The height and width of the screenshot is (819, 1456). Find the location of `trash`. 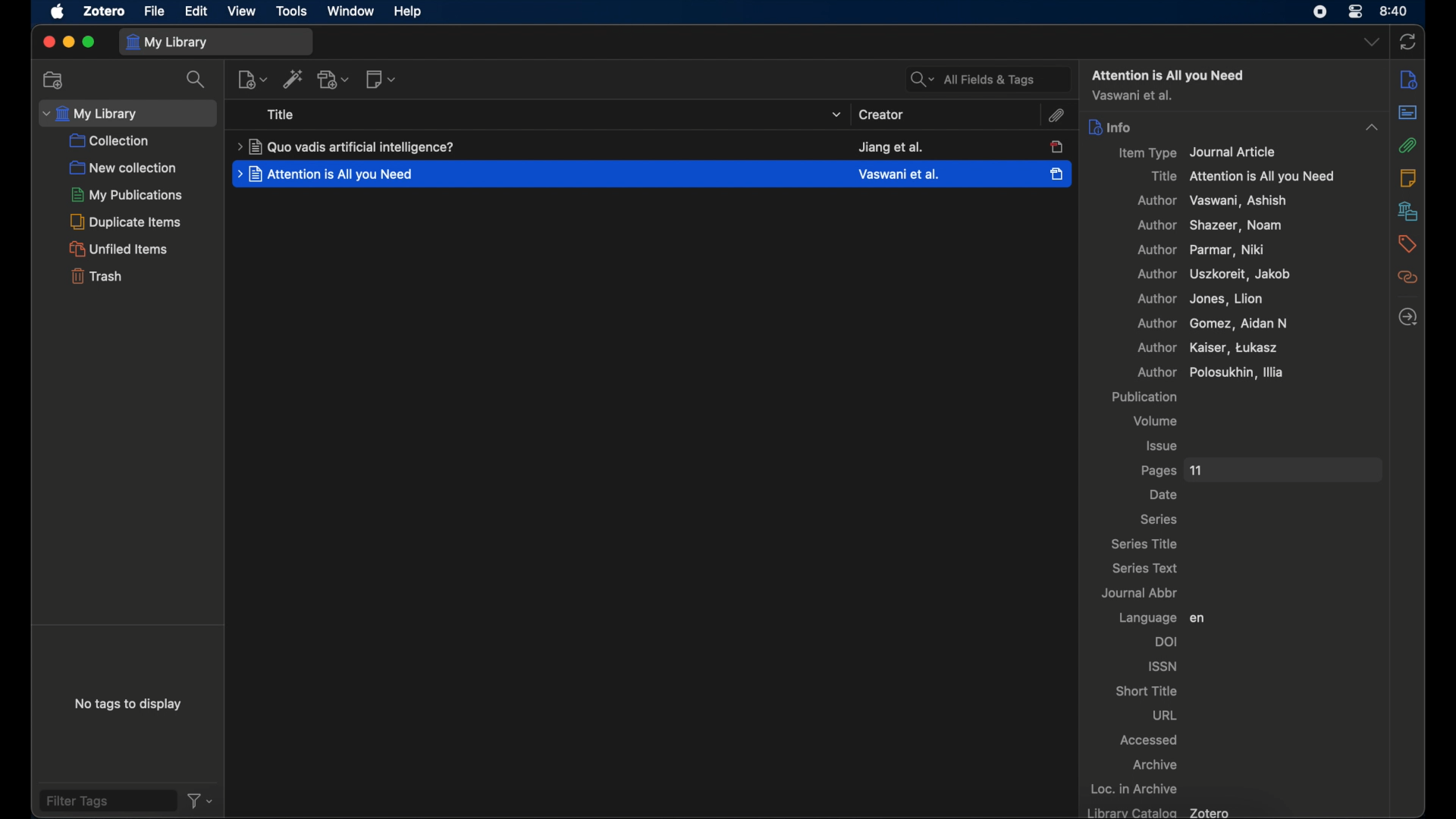

trash is located at coordinates (96, 275).